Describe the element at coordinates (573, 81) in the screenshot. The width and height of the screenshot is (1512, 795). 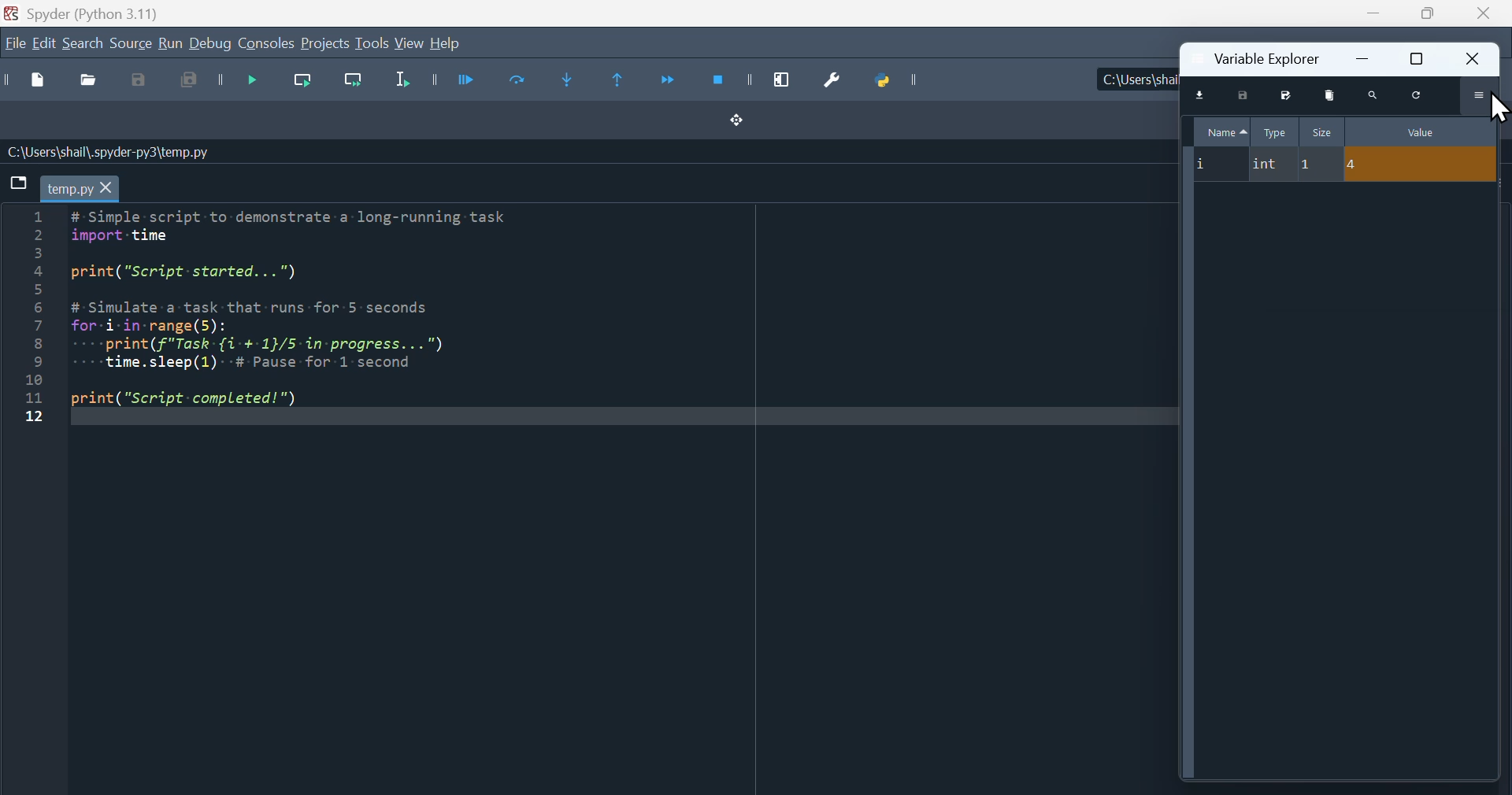
I see `Step into function` at that location.